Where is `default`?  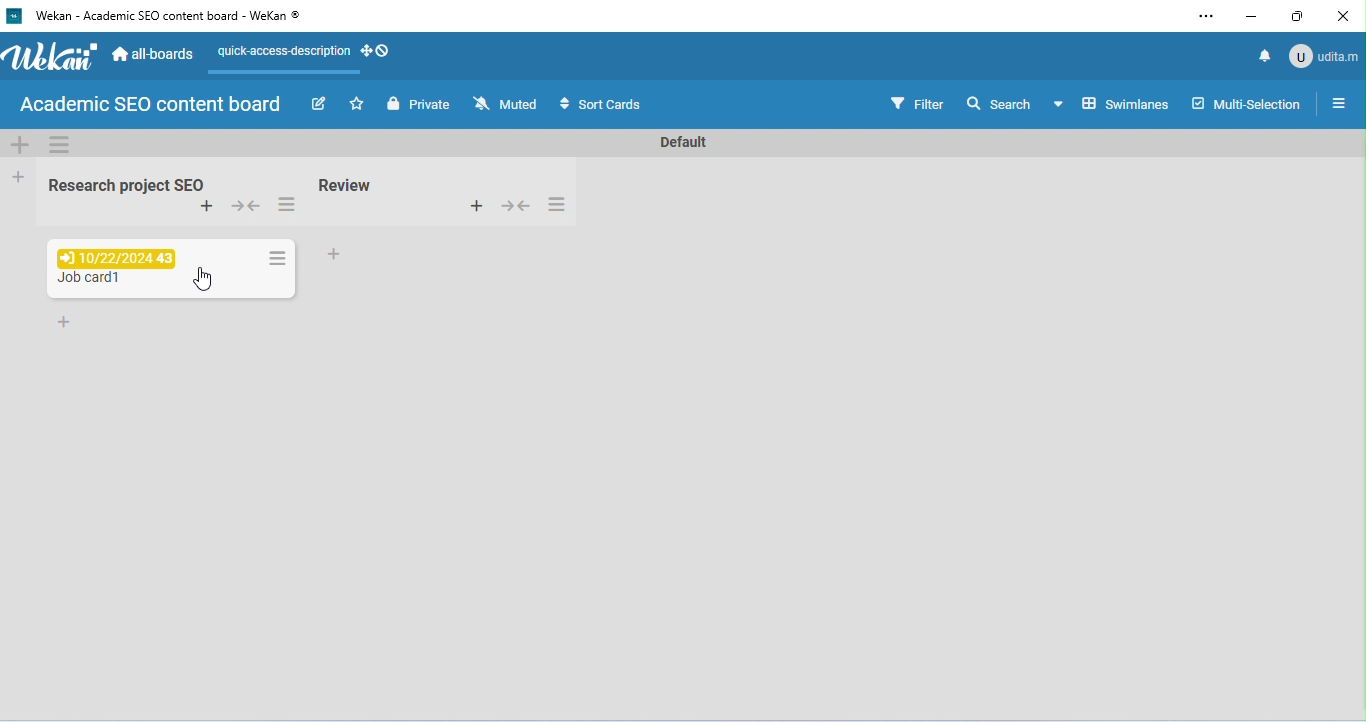
default is located at coordinates (680, 143).